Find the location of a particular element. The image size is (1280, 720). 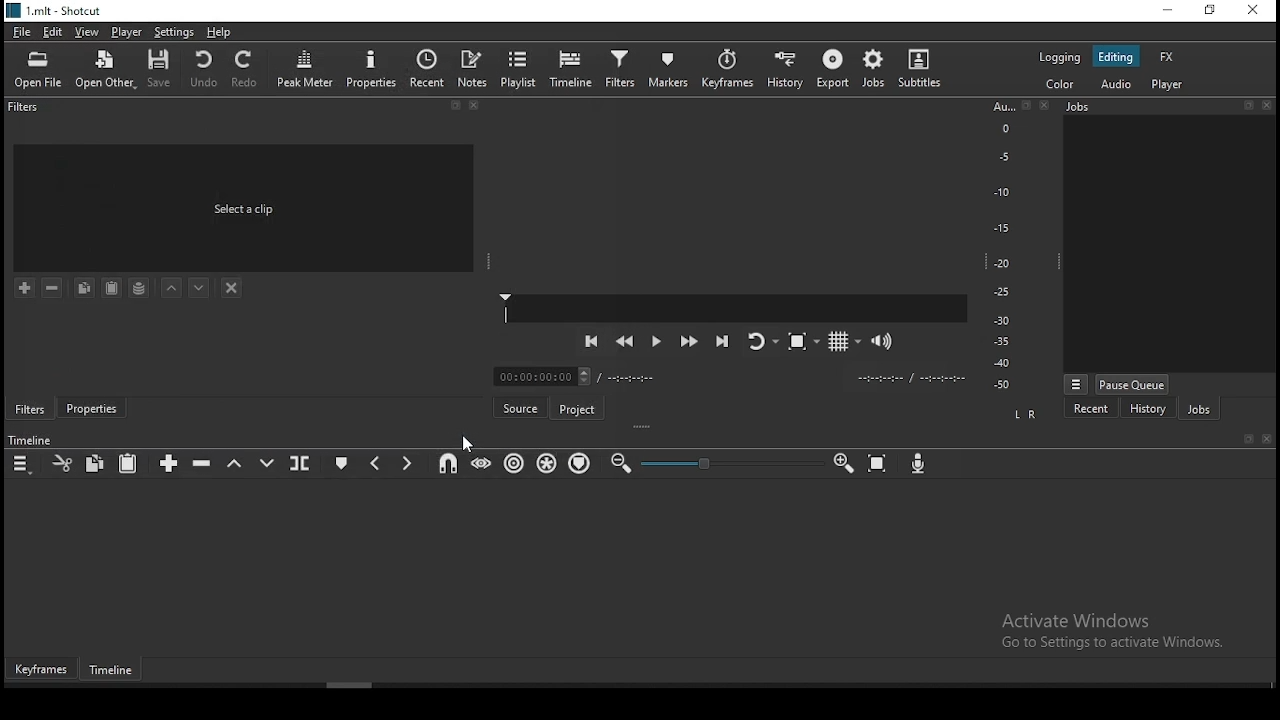

minimize is located at coordinates (1163, 10).